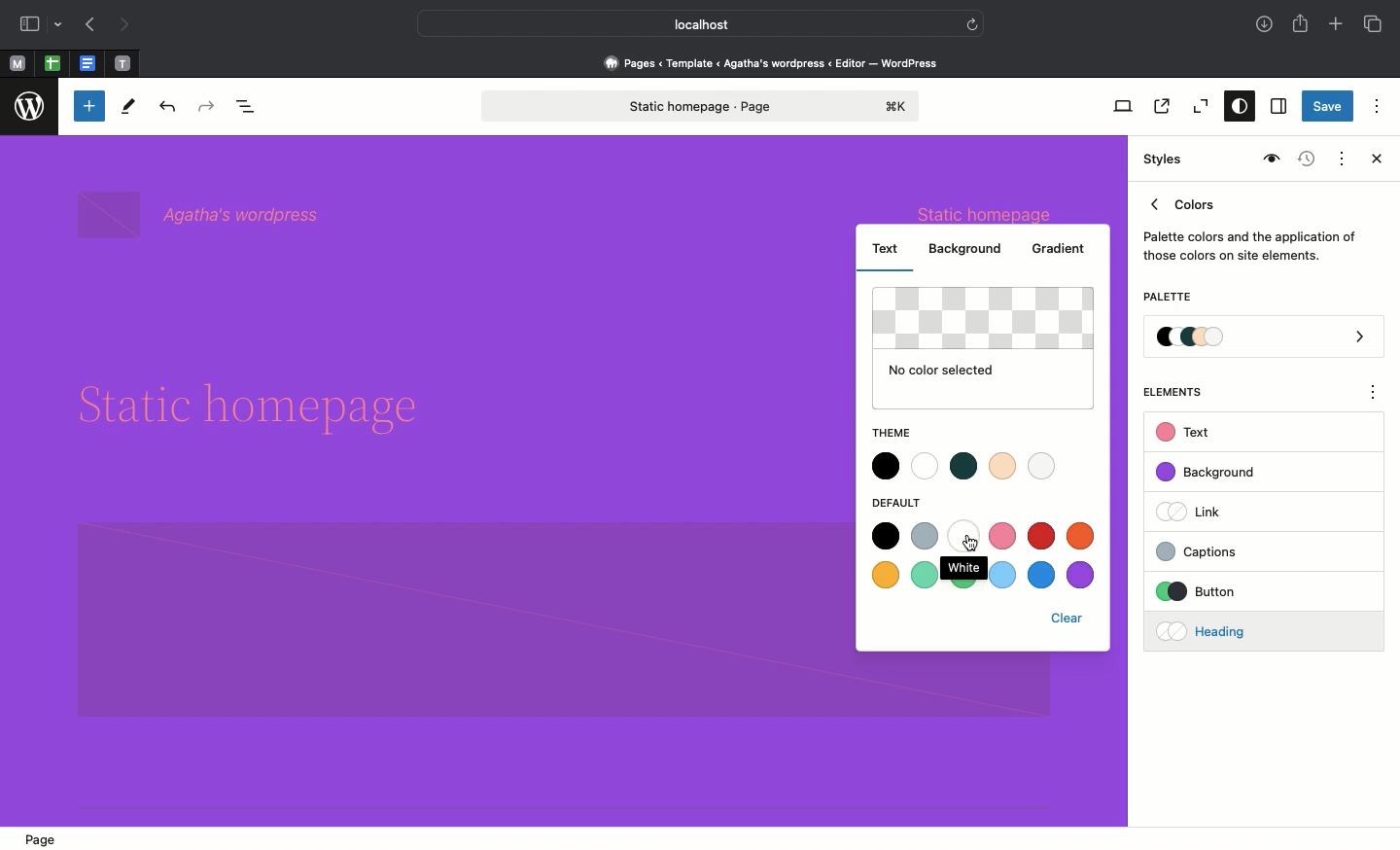 The height and width of the screenshot is (850, 1400). What do you see at coordinates (887, 246) in the screenshot?
I see `Text` at bounding box center [887, 246].